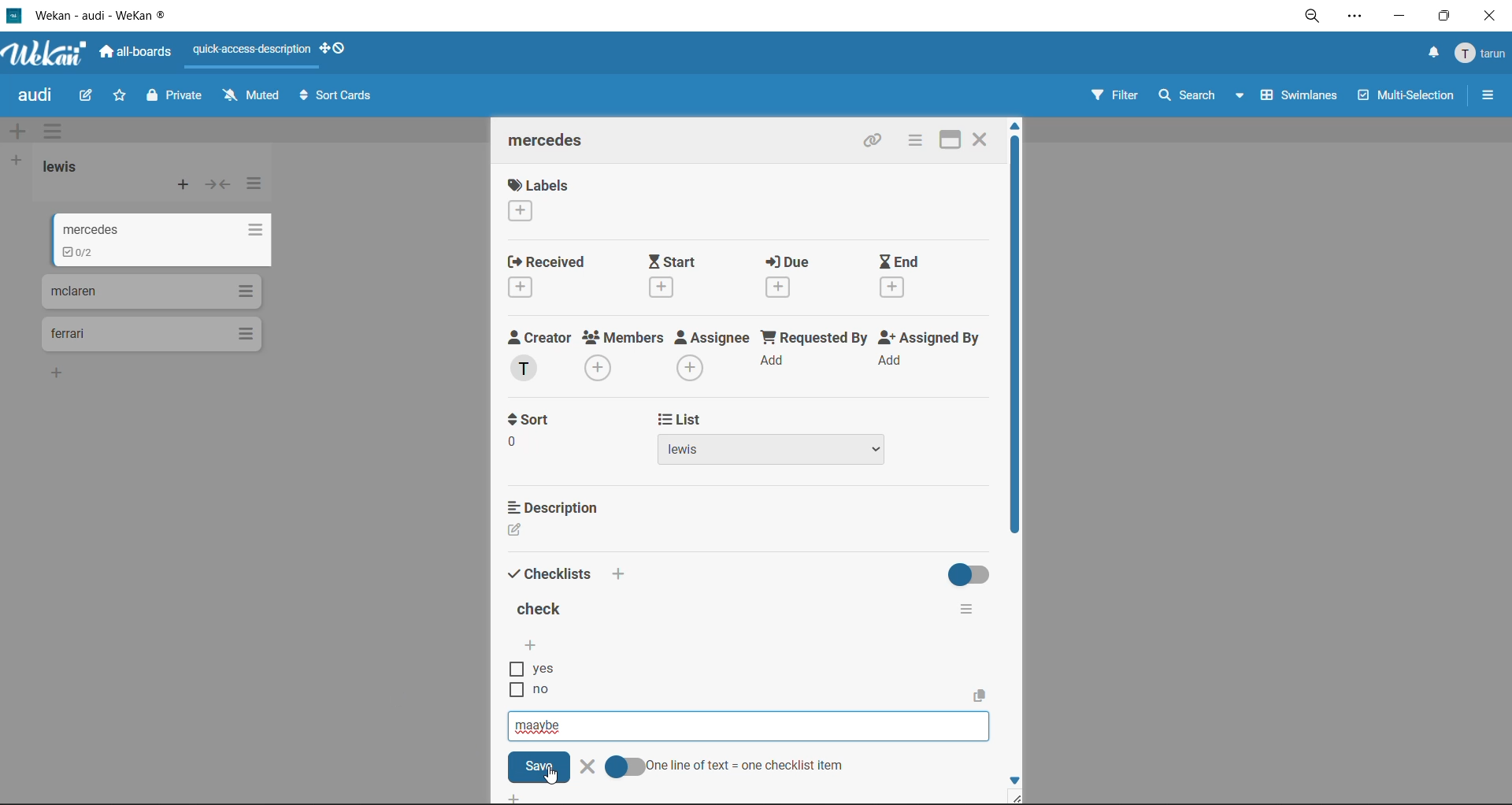  Describe the element at coordinates (20, 161) in the screenshot. I see `add list` at that location.